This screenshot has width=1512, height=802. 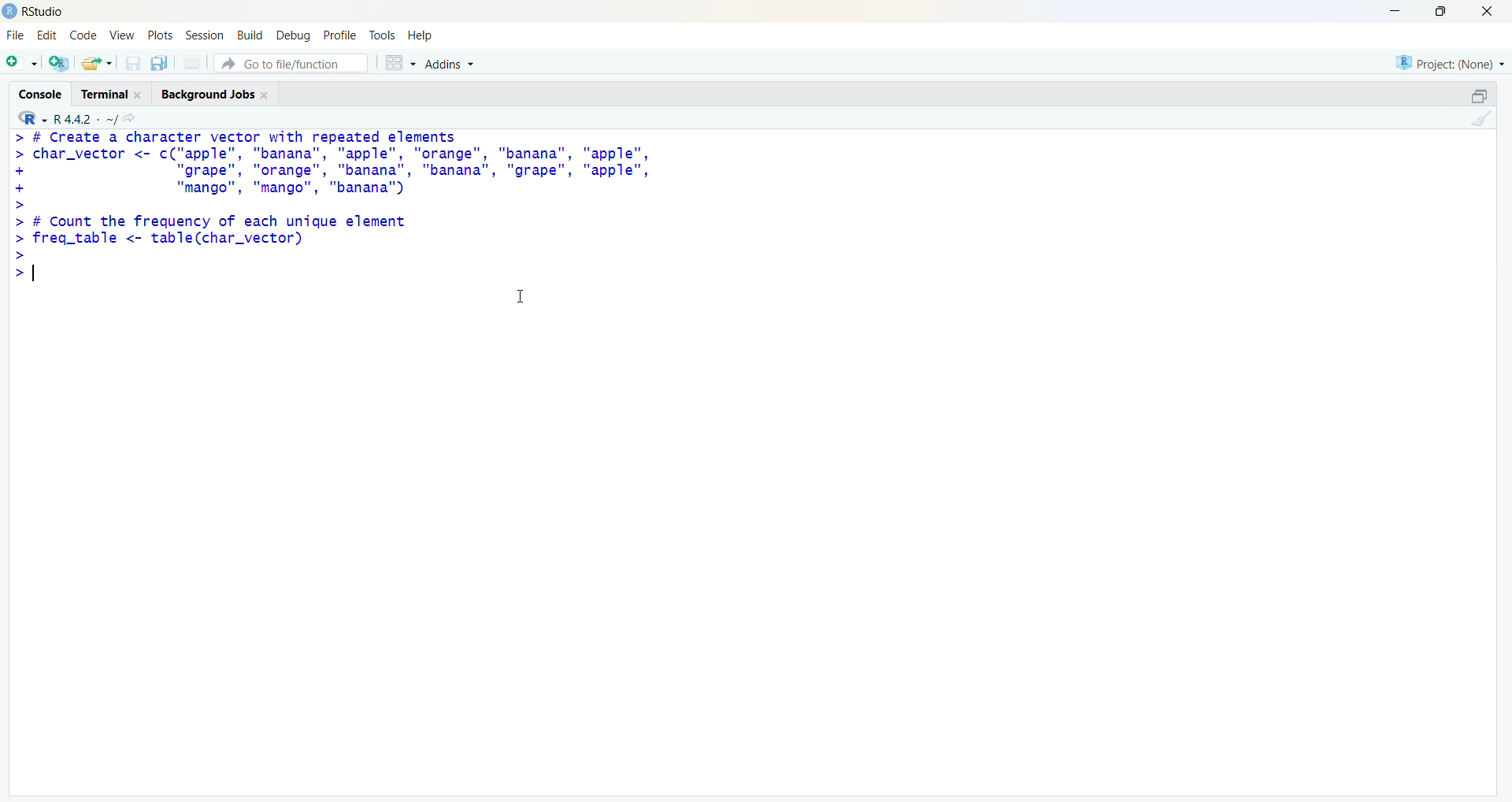 I want to click on File, so click(x=14, y=35).